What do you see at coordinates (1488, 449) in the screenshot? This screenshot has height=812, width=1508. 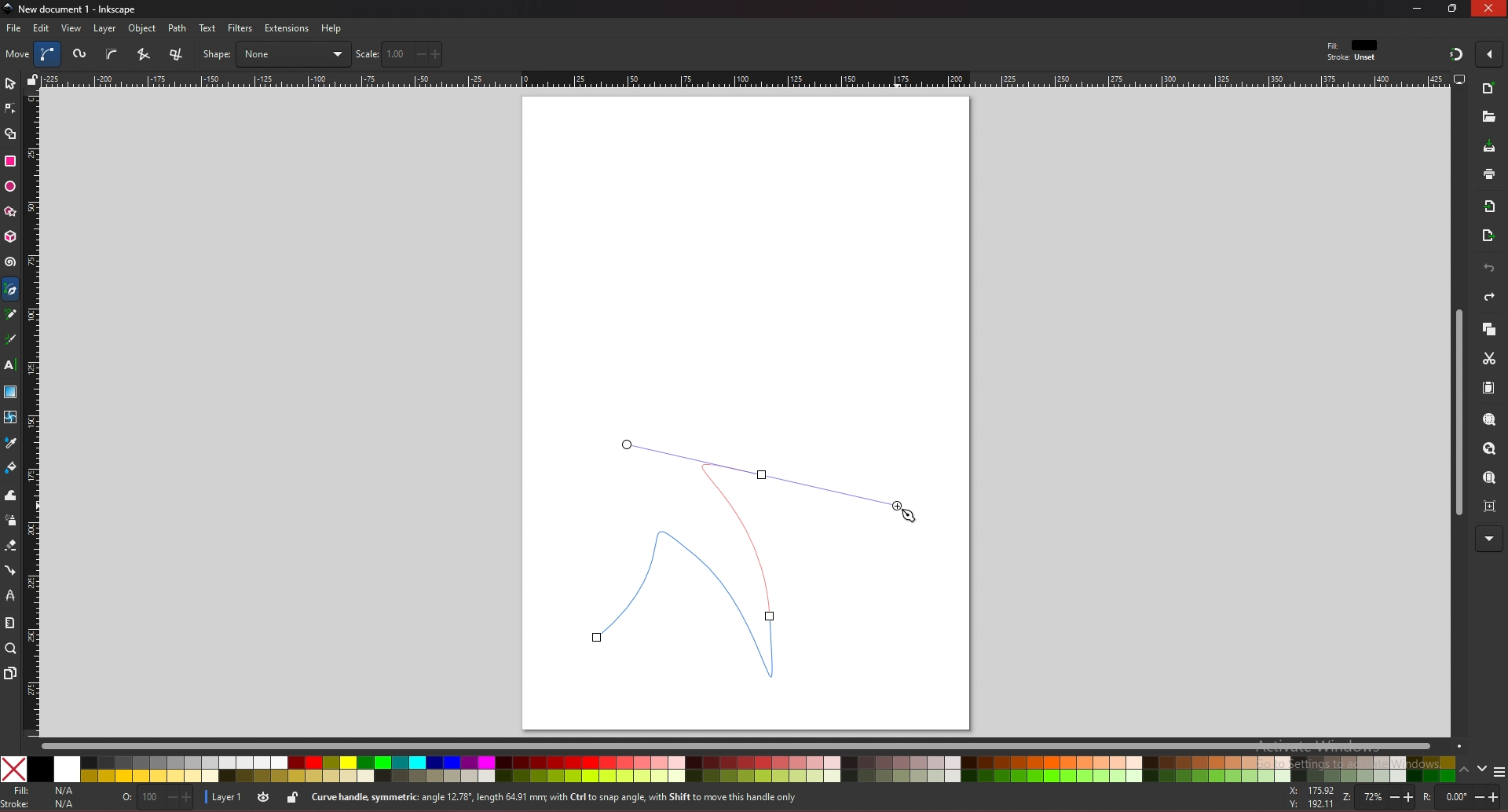 I see `zoom drawing` at bounding box center [1488, 449].